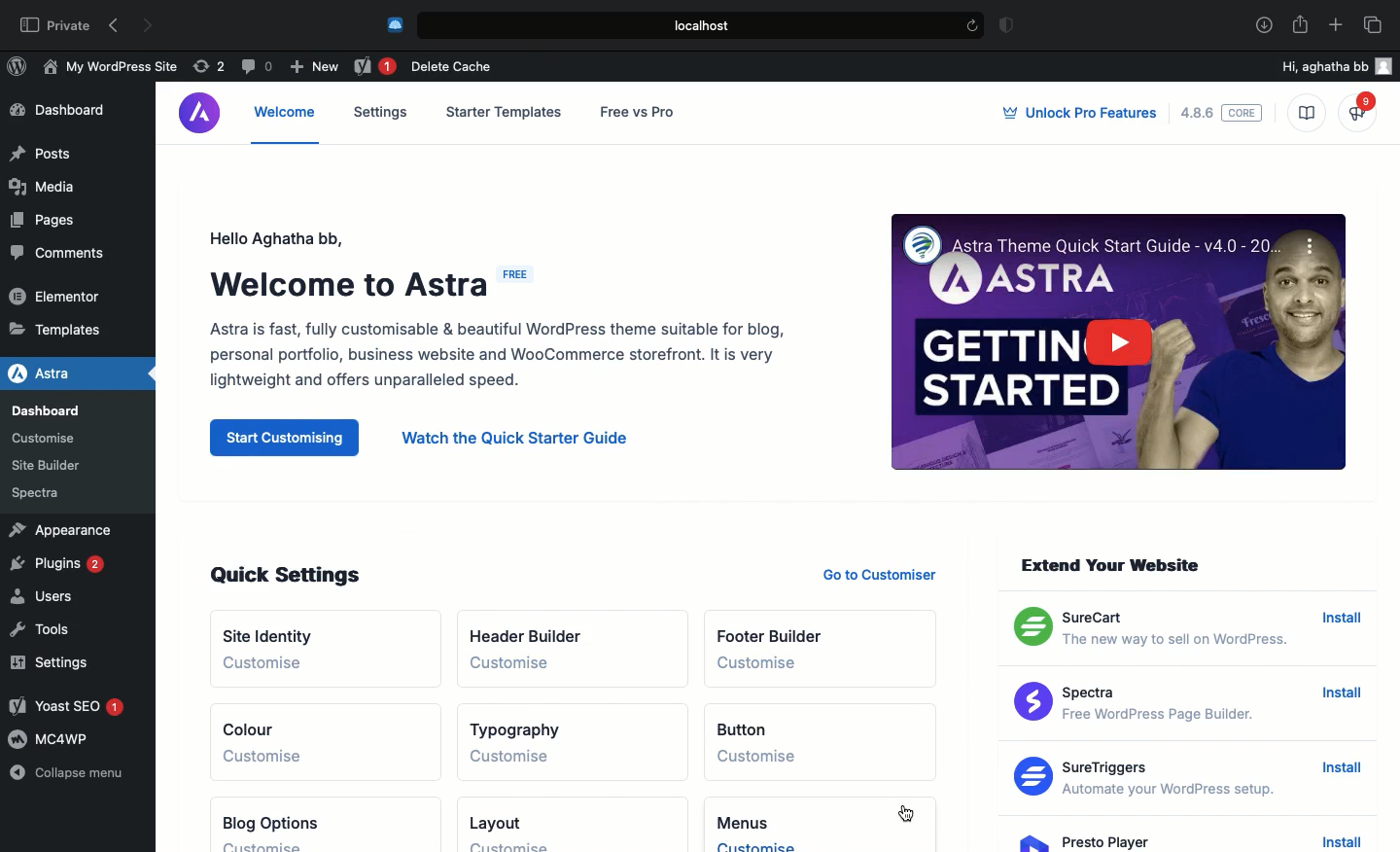  What do you see at coordinates (380, 114) in the screenshot?
I see `Settings` at bounding box center [380, 114].